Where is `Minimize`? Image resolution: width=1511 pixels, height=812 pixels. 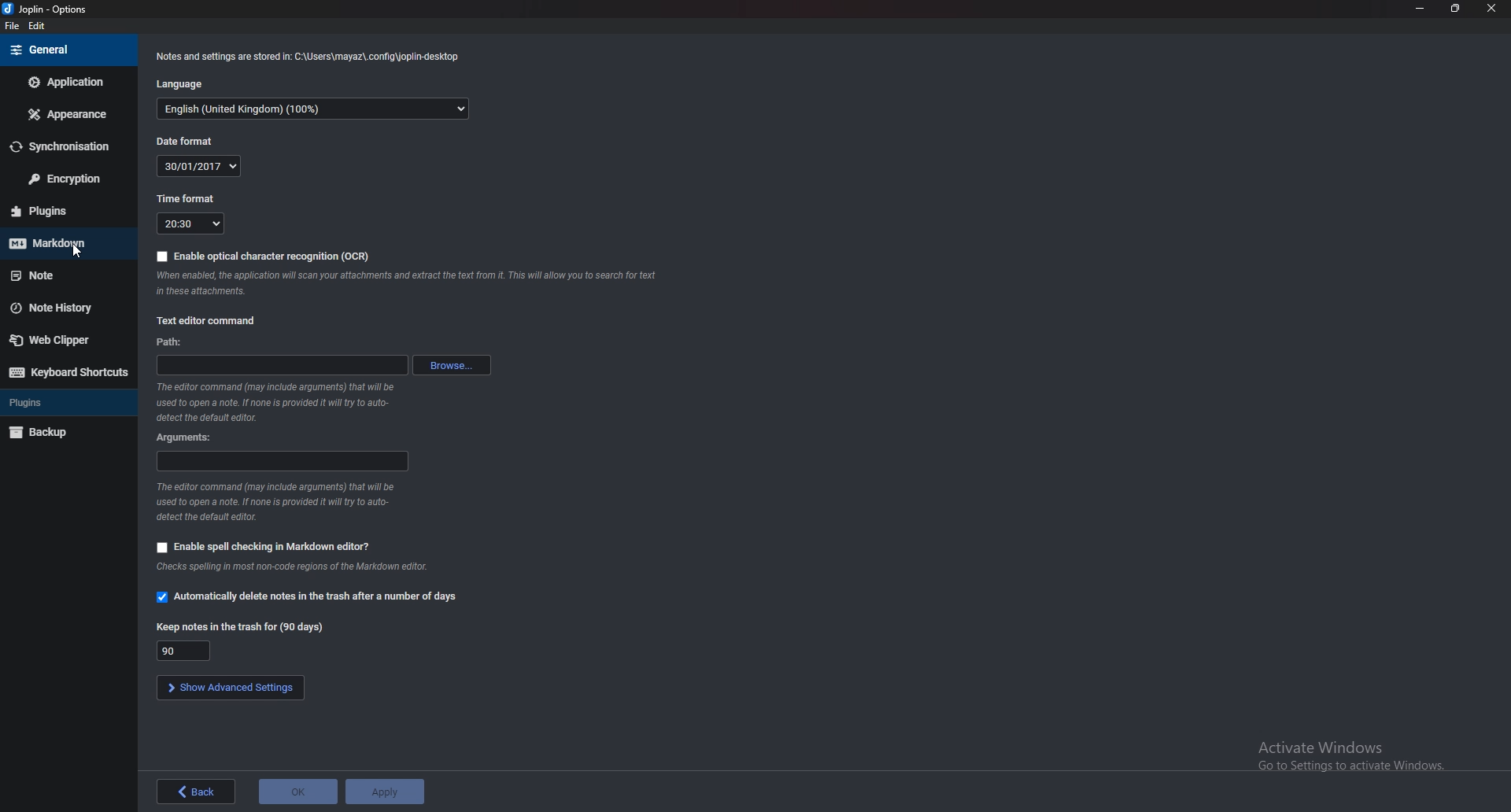
Minimize is located at coordinates (1420, 9).